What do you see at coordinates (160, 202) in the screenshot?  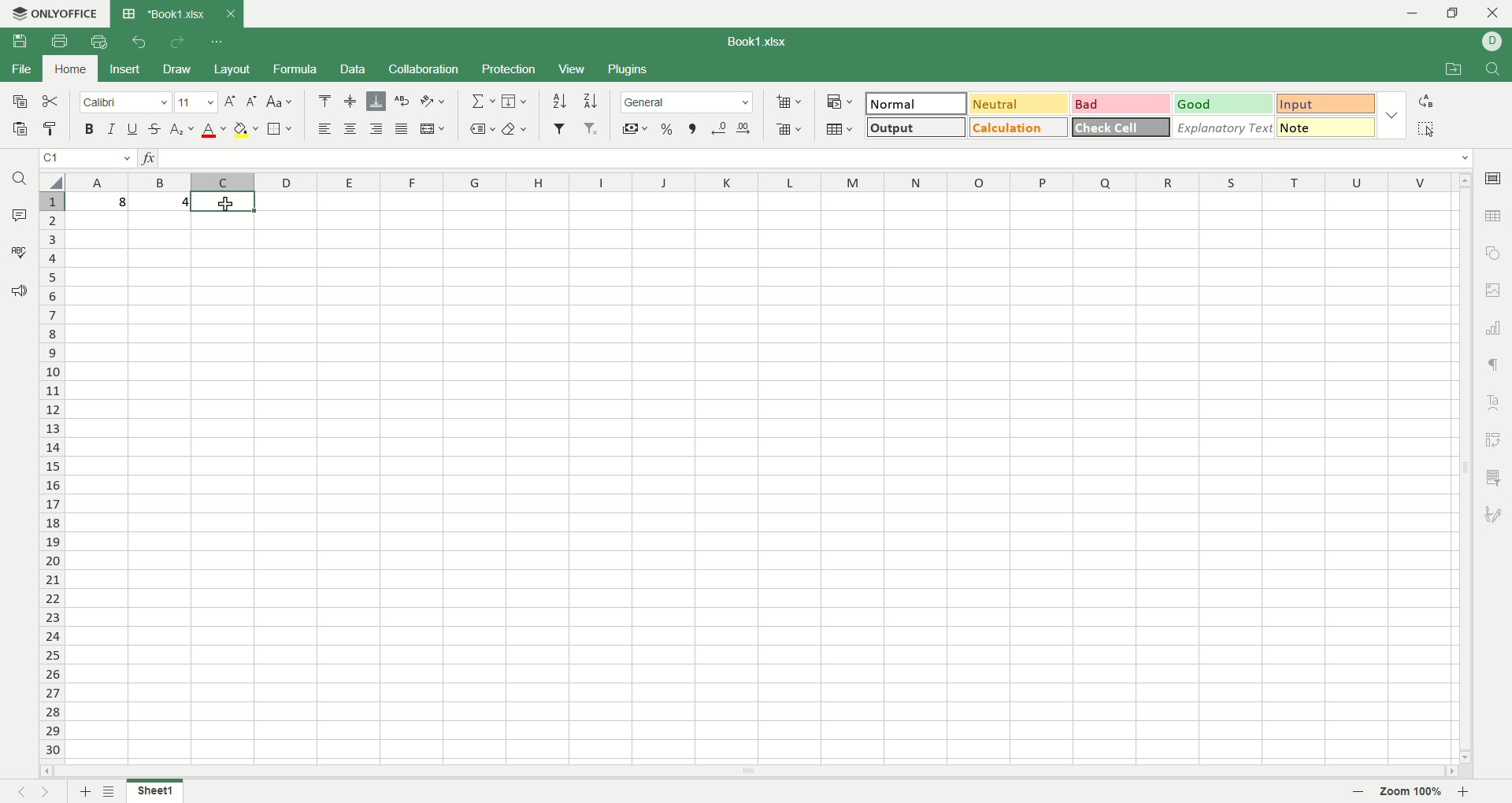 I see `4` at bounding box center [160, 202].